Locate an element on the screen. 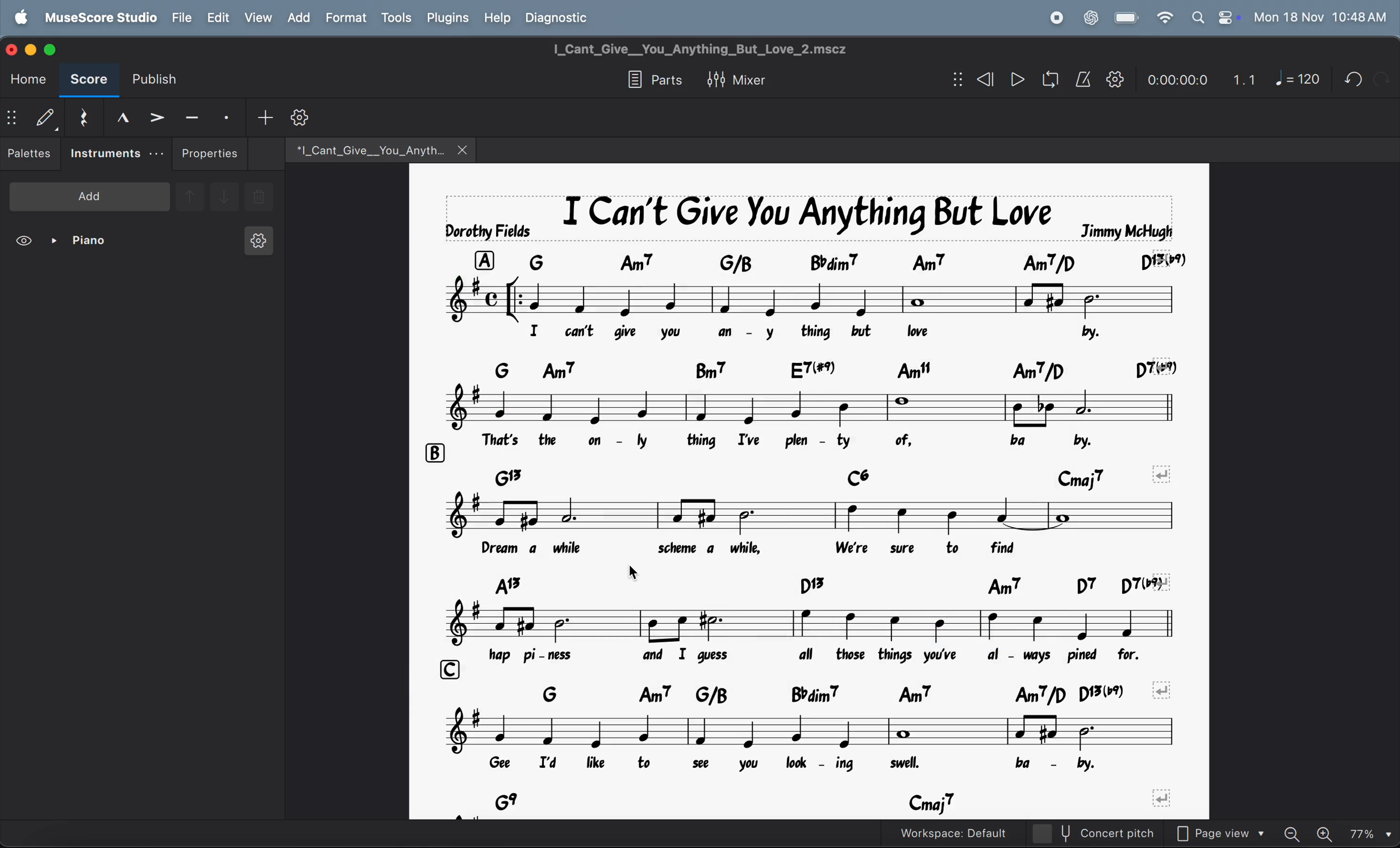 The image size is (1400, 848). show/hide is located at coordinates (955, 80).